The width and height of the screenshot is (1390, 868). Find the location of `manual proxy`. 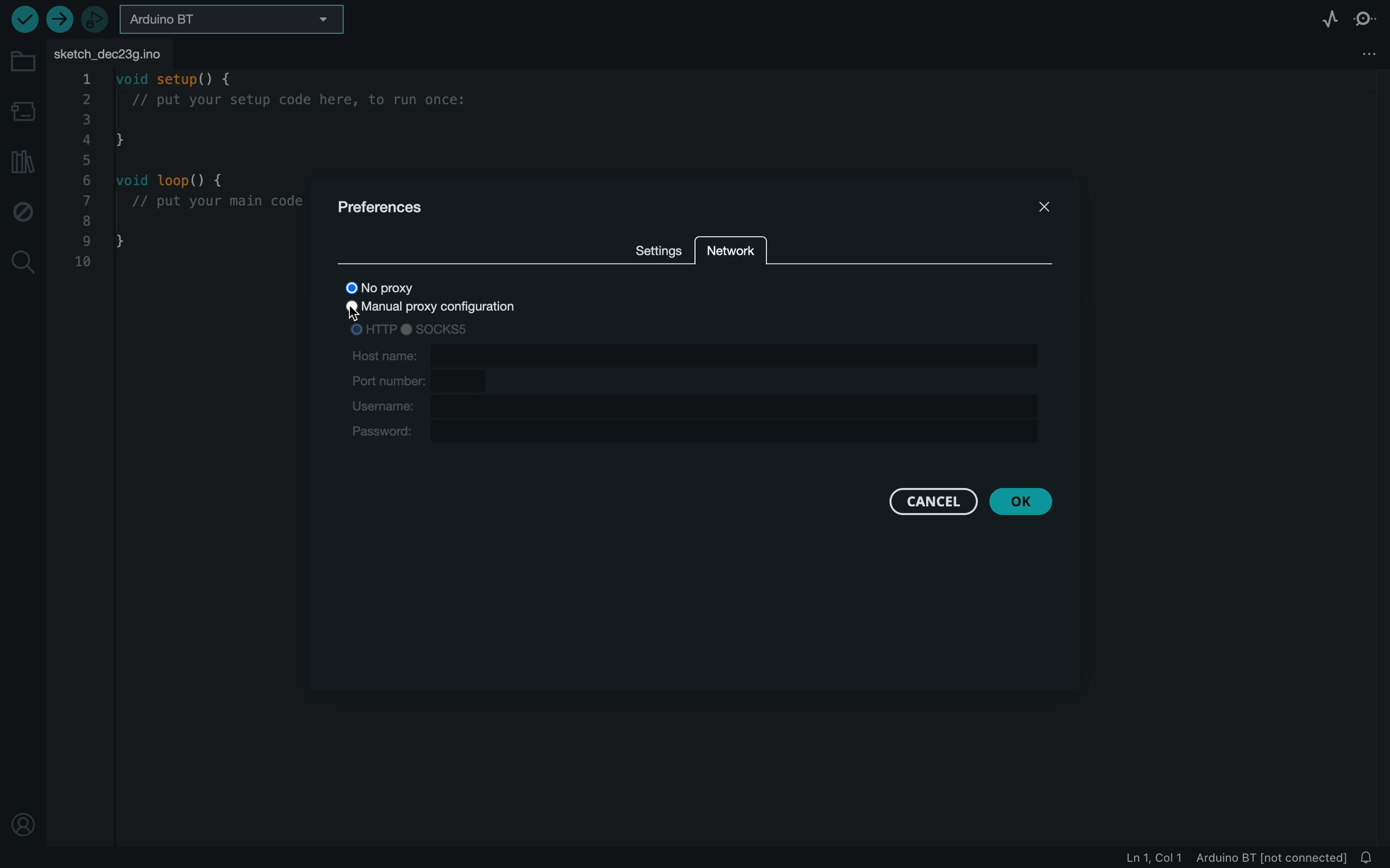

manual proxy is located at coordinates (486, 308).